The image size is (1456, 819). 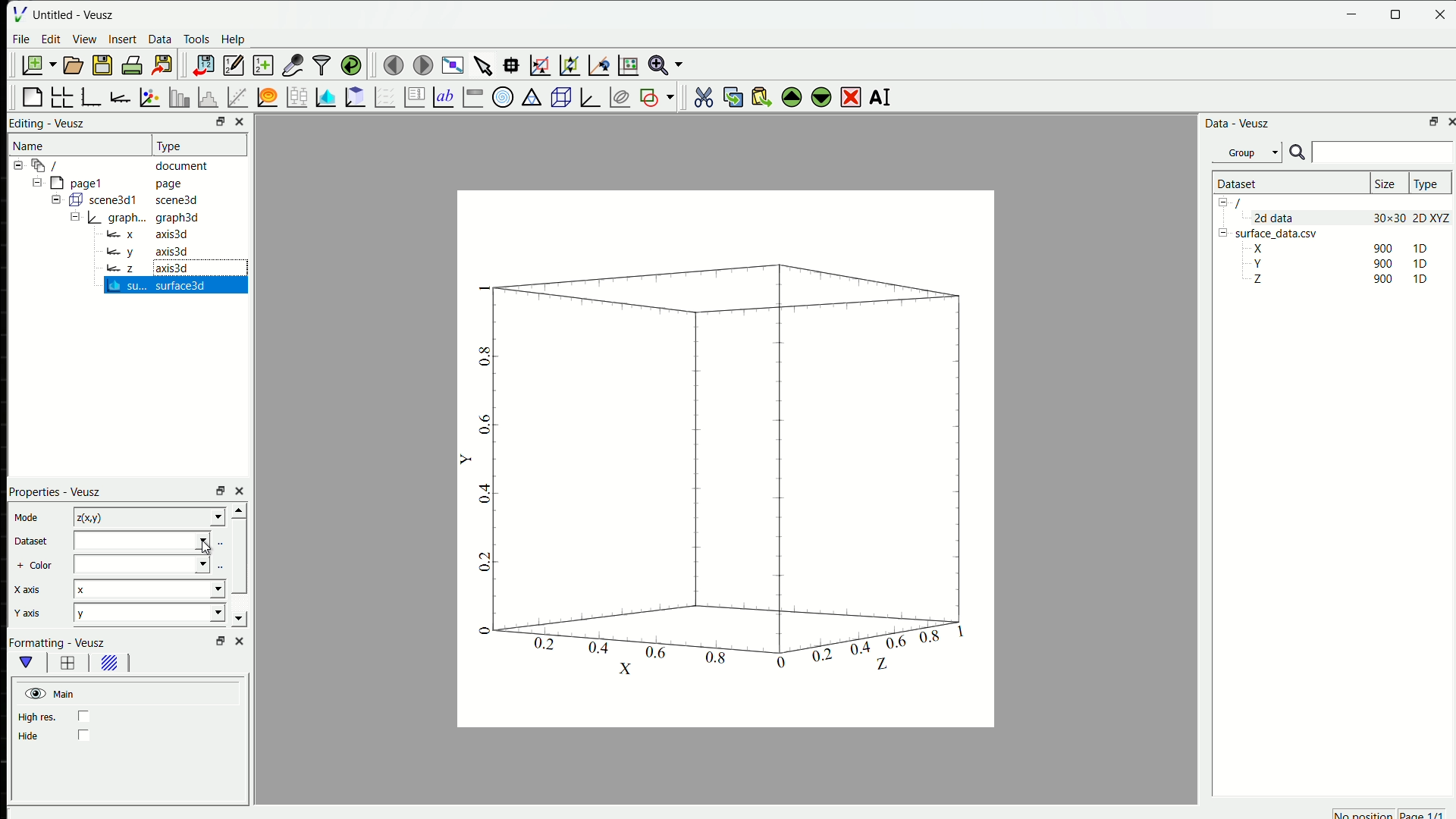 I want to click on search icon, so click(x=1297, y=152).